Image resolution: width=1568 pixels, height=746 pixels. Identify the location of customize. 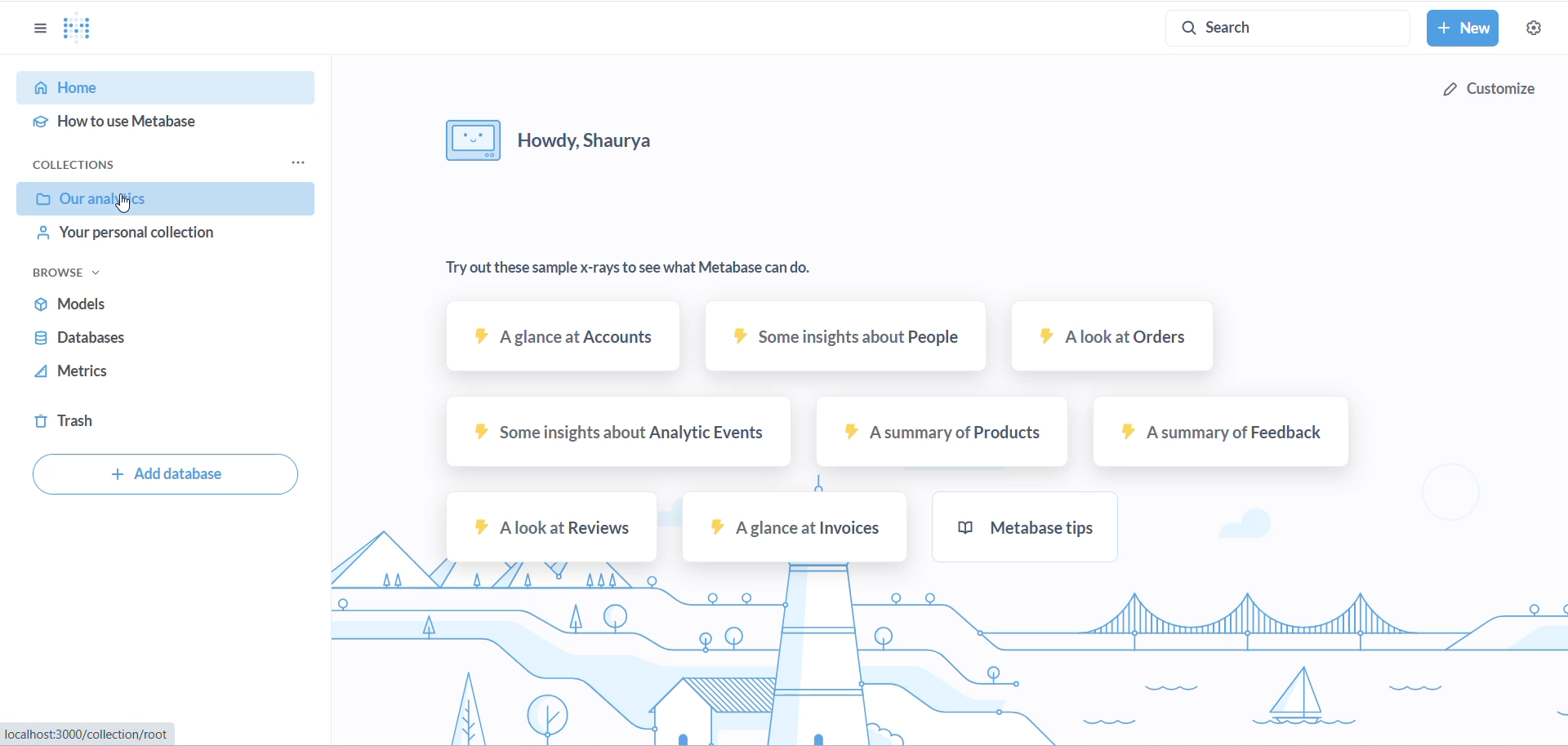
(1486, 88).